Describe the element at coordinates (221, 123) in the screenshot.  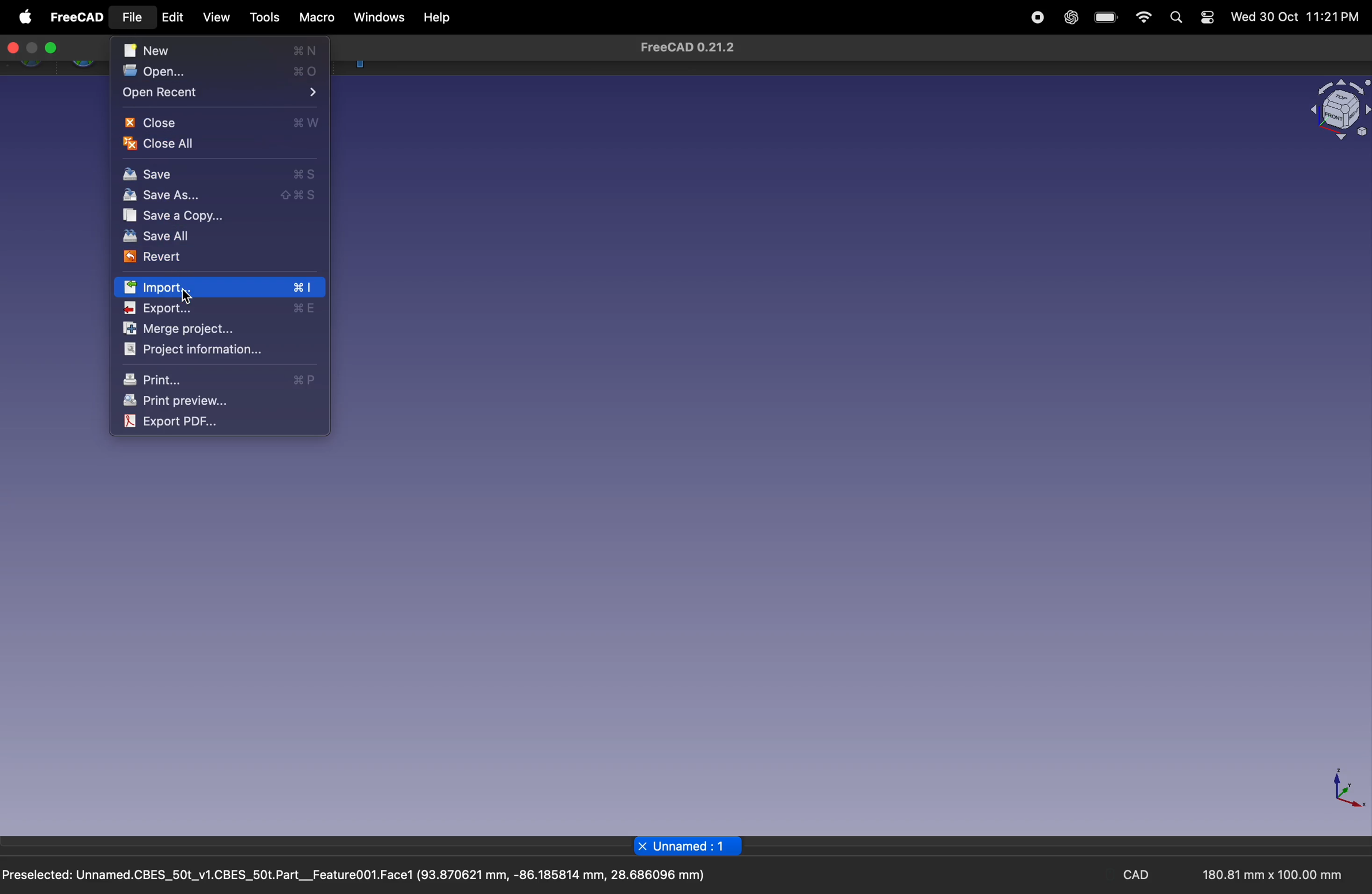
I see `close` at that location.